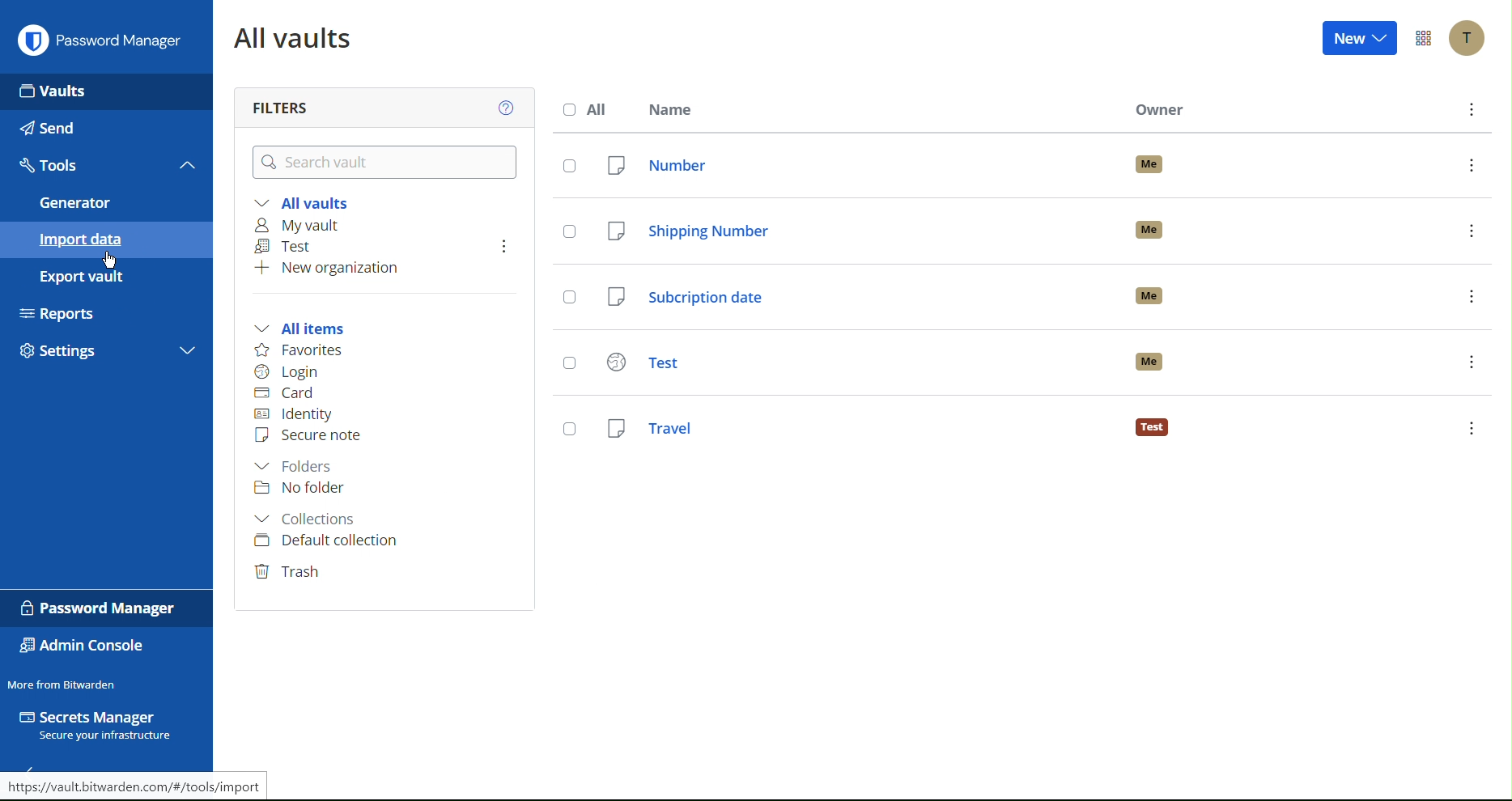  Describe the element at coordinates (188, 353) in the screenshot. I see `expand settings` at that location.